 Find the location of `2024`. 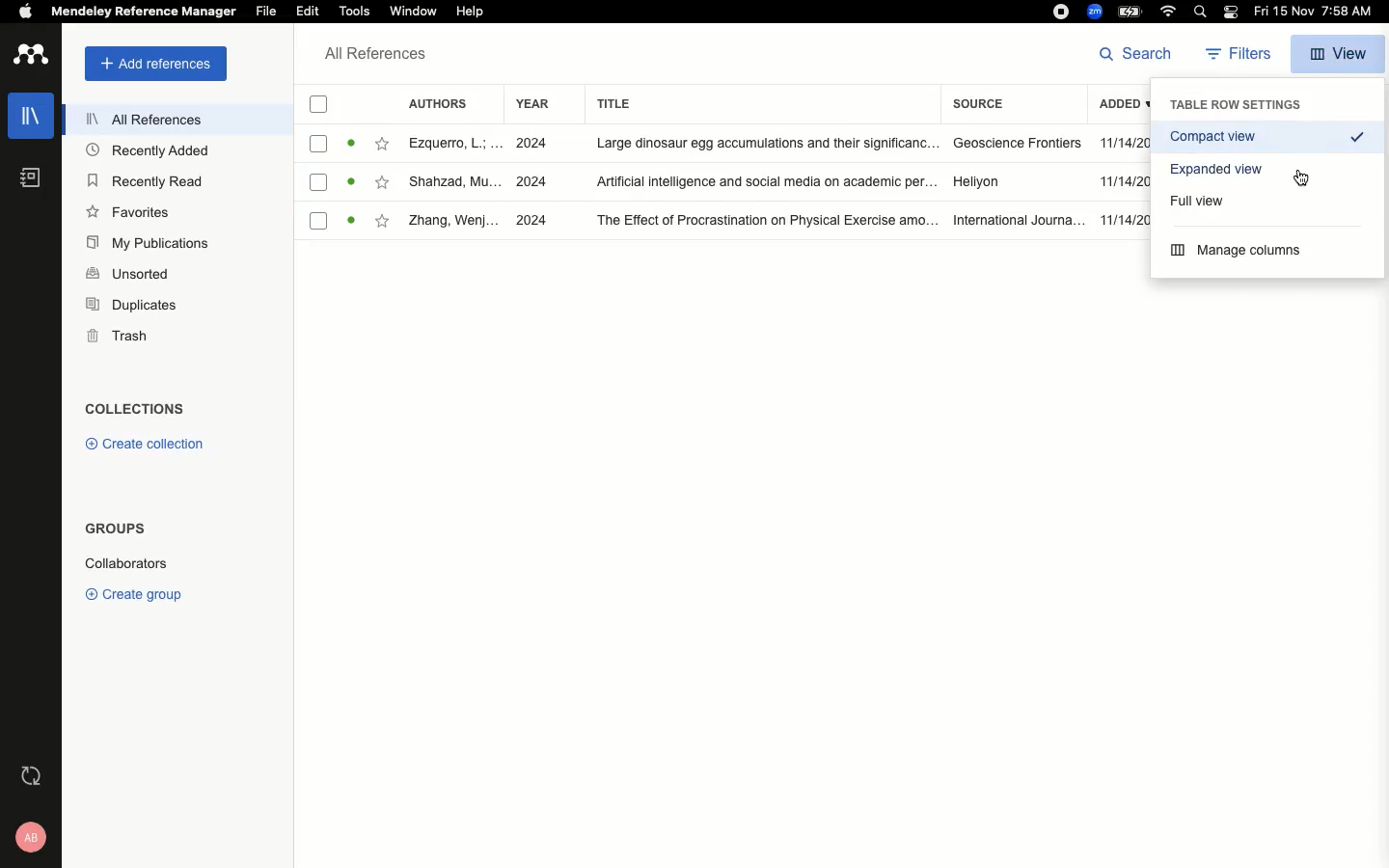

2024 is located at coordinates (534, 144).